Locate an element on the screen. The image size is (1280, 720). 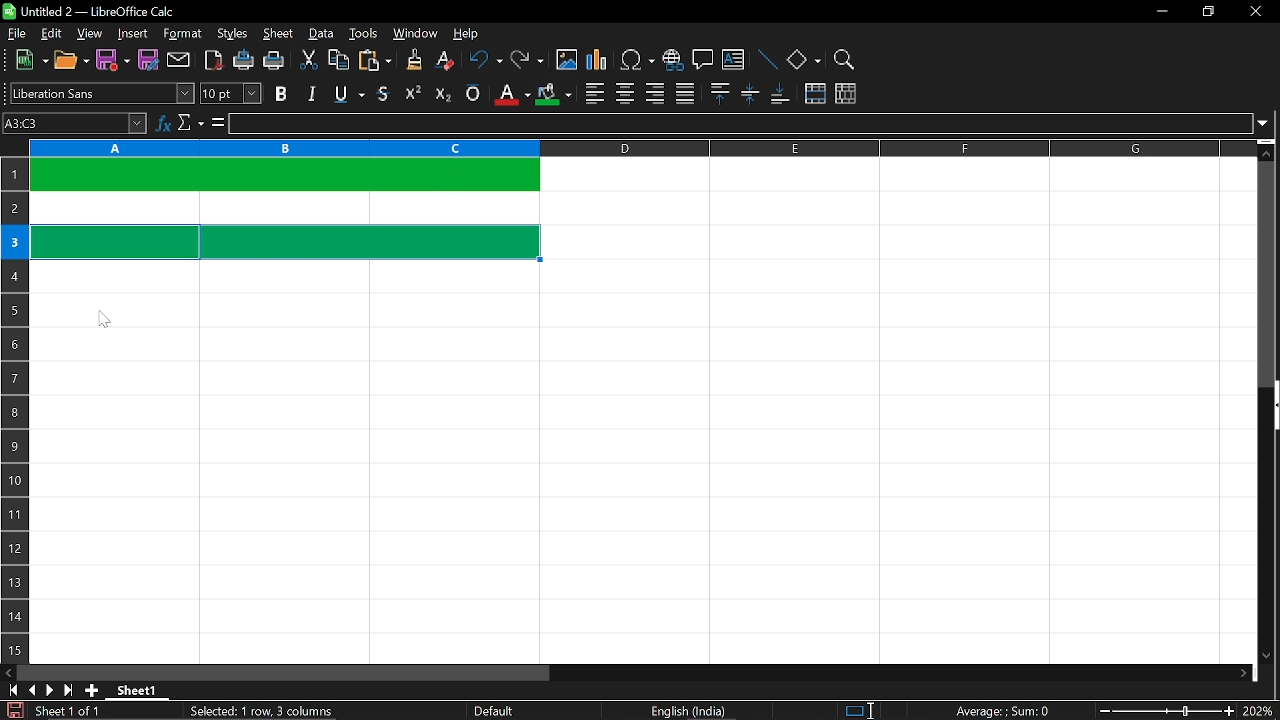
export as pdf is located at coordinates (210, 60).